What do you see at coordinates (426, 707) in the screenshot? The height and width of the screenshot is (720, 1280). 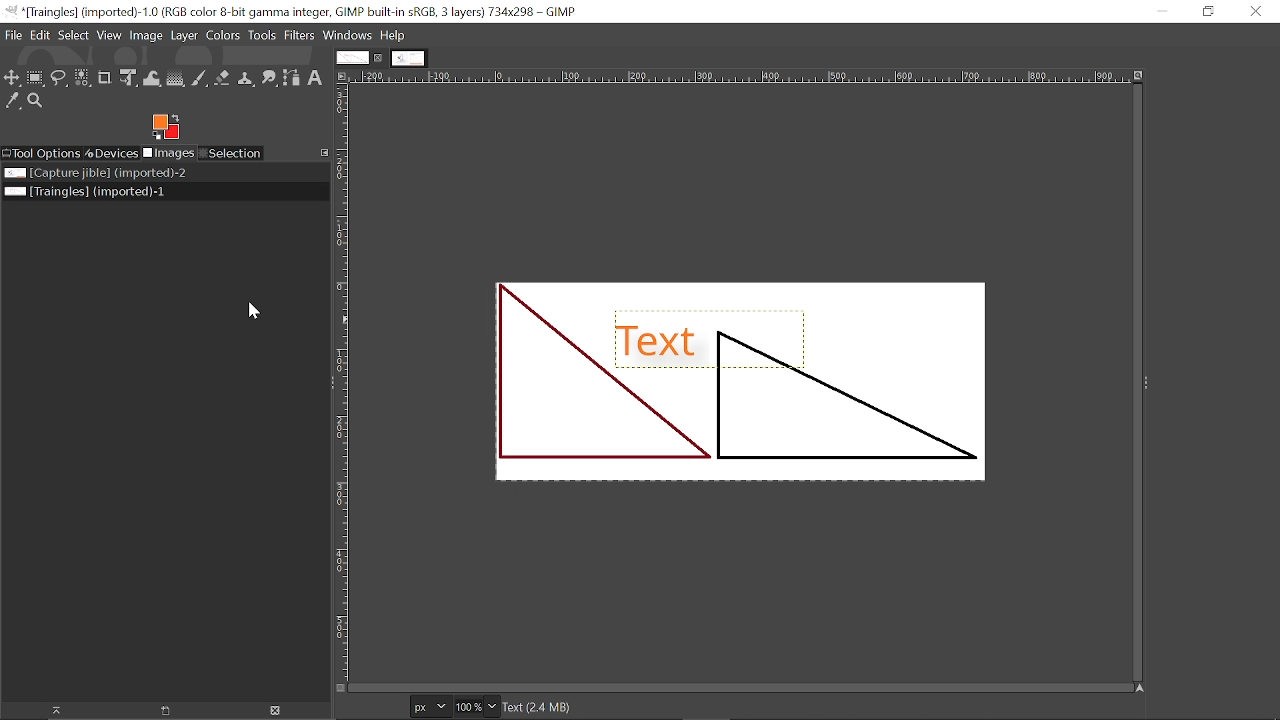 I see `Current image units` at bounding box center [426, 707].